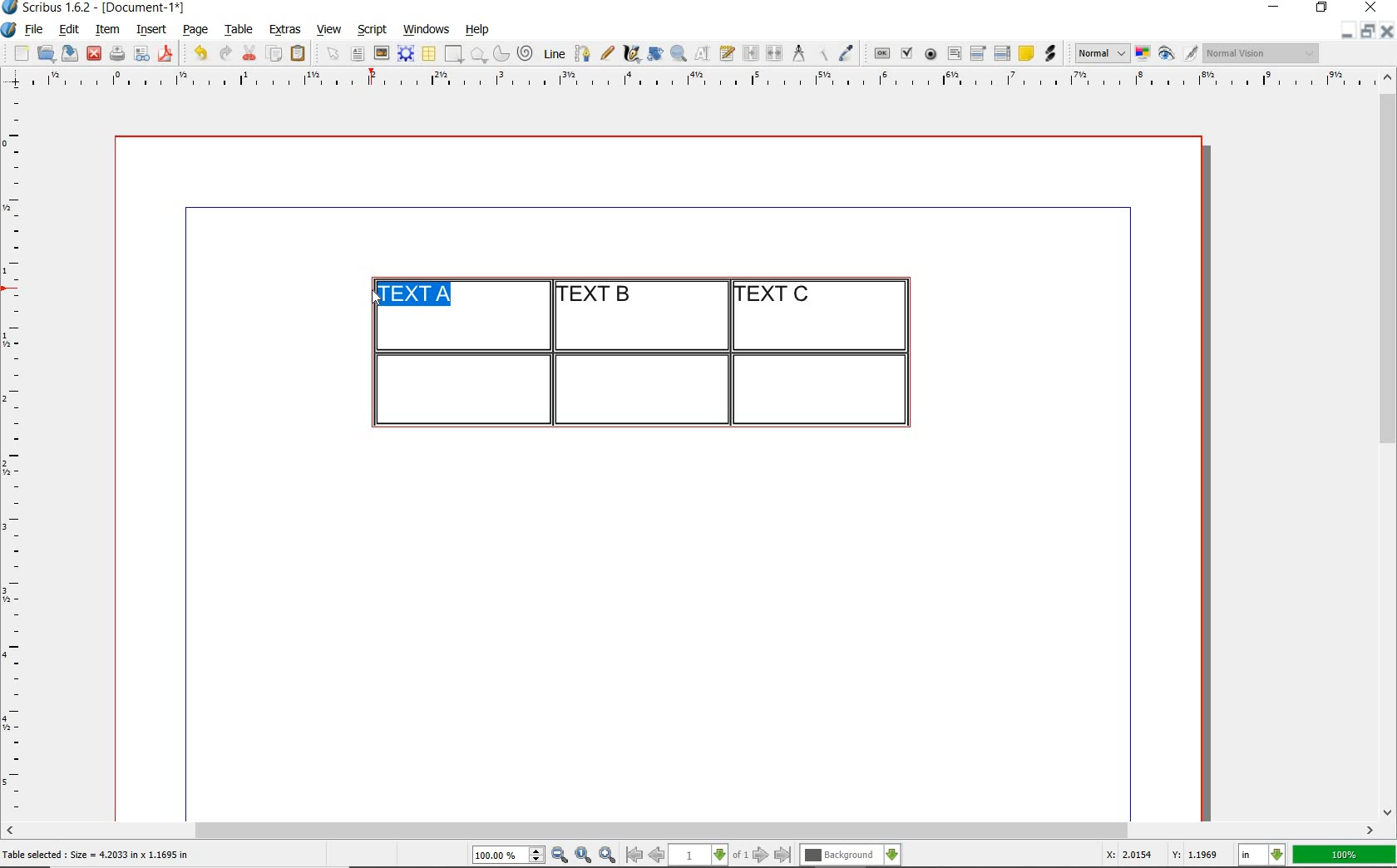 The height and width of the screenshot is (868, 1397). What do you see at coordinates (1144, 55) in the screenshot?
I see `toggle color management` at bounding box center [1144, 55].